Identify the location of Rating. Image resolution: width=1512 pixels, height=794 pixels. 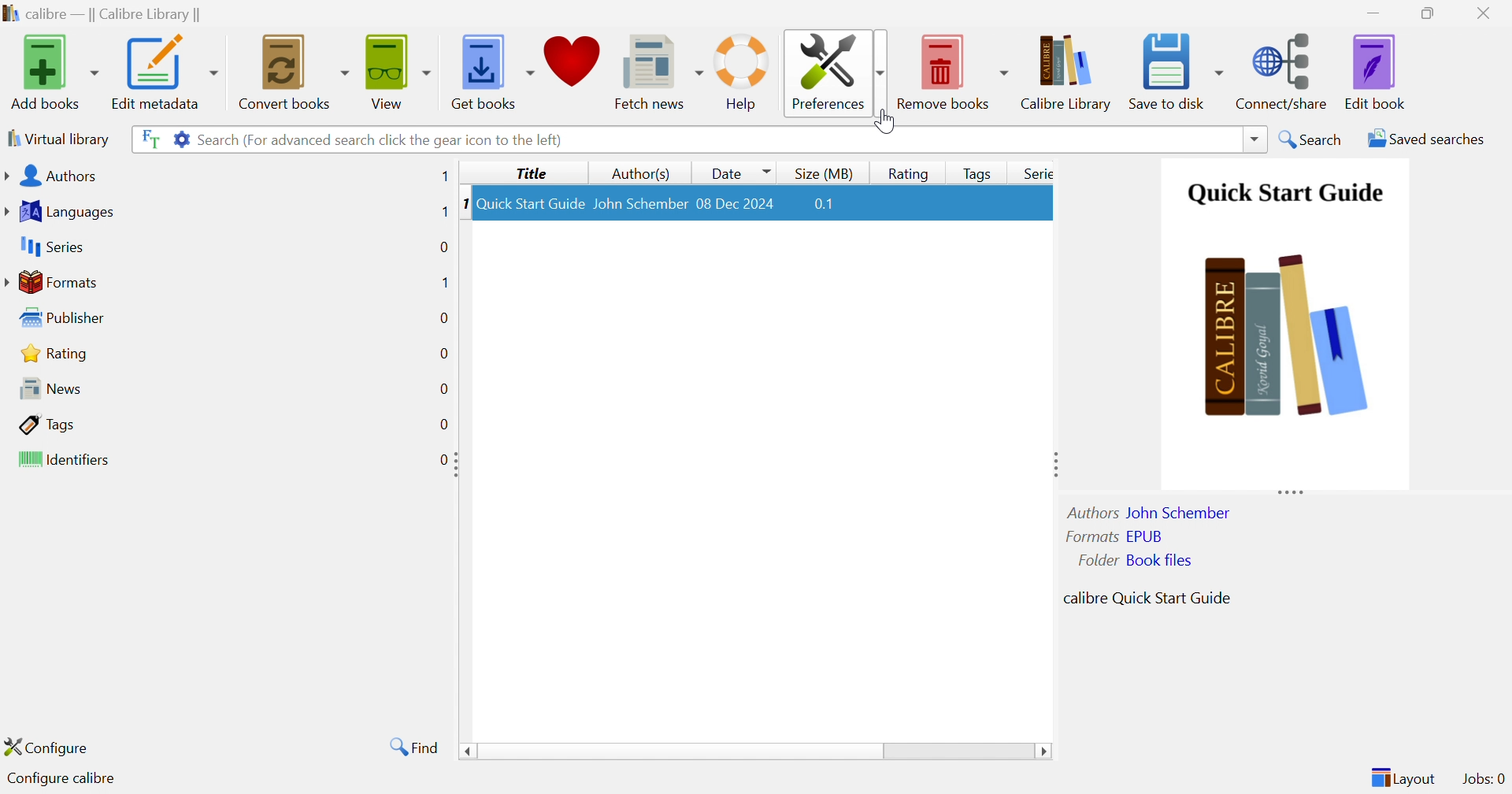
(57, 353).